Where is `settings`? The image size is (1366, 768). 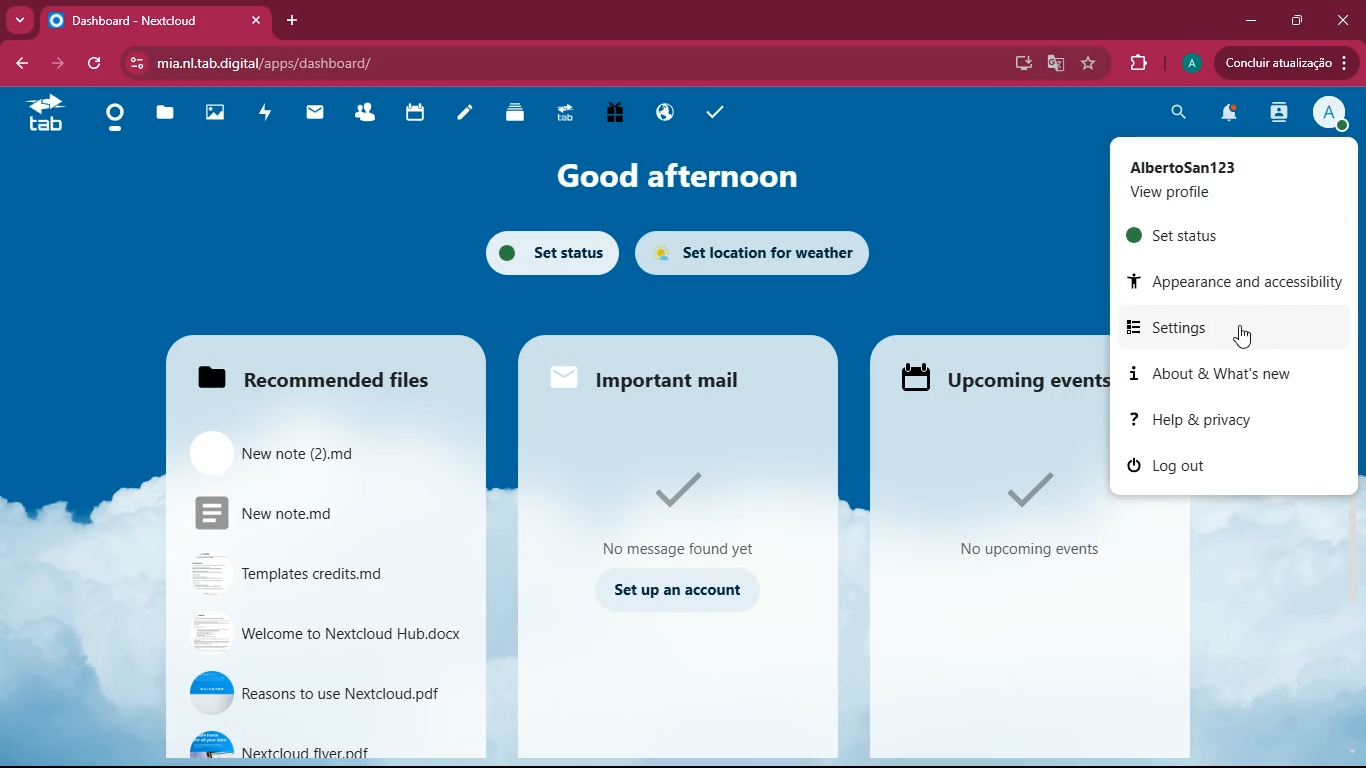 settings is located at coordinates (1229, 326).